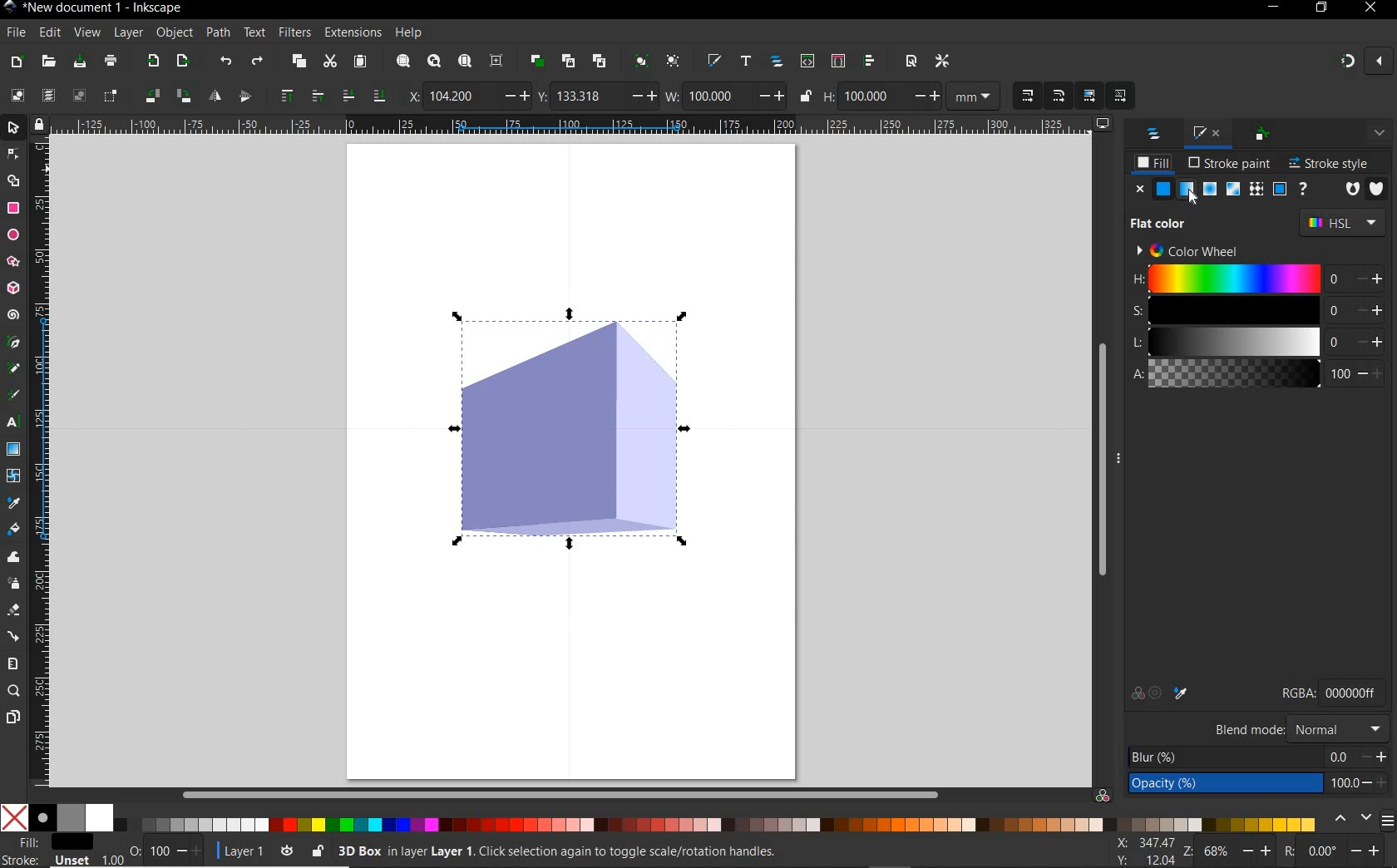  What do you see at coordinates (183, 63) in the screenshot?
I see `OPEN EXPORT` at bounding box center [183, 63].